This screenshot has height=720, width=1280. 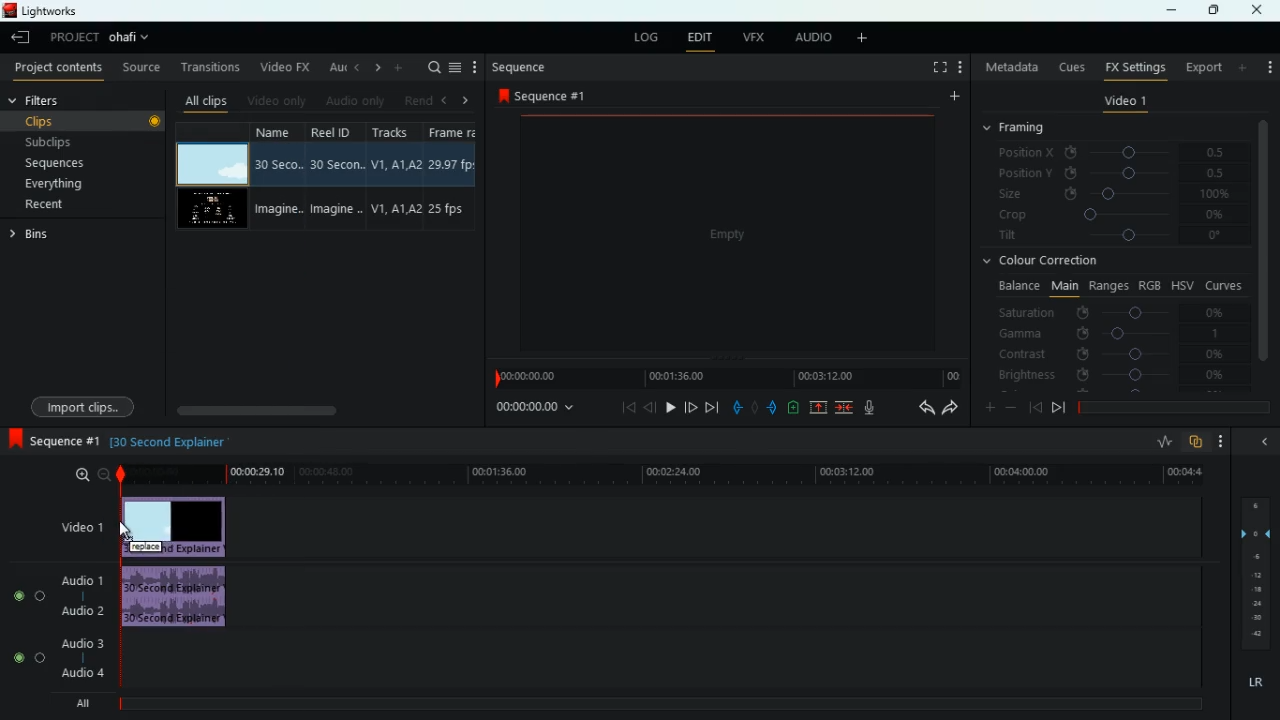 What do you see at coordinates (1261, 10) in the screenshot?
I see `close` at bounding box center [1261, 10].